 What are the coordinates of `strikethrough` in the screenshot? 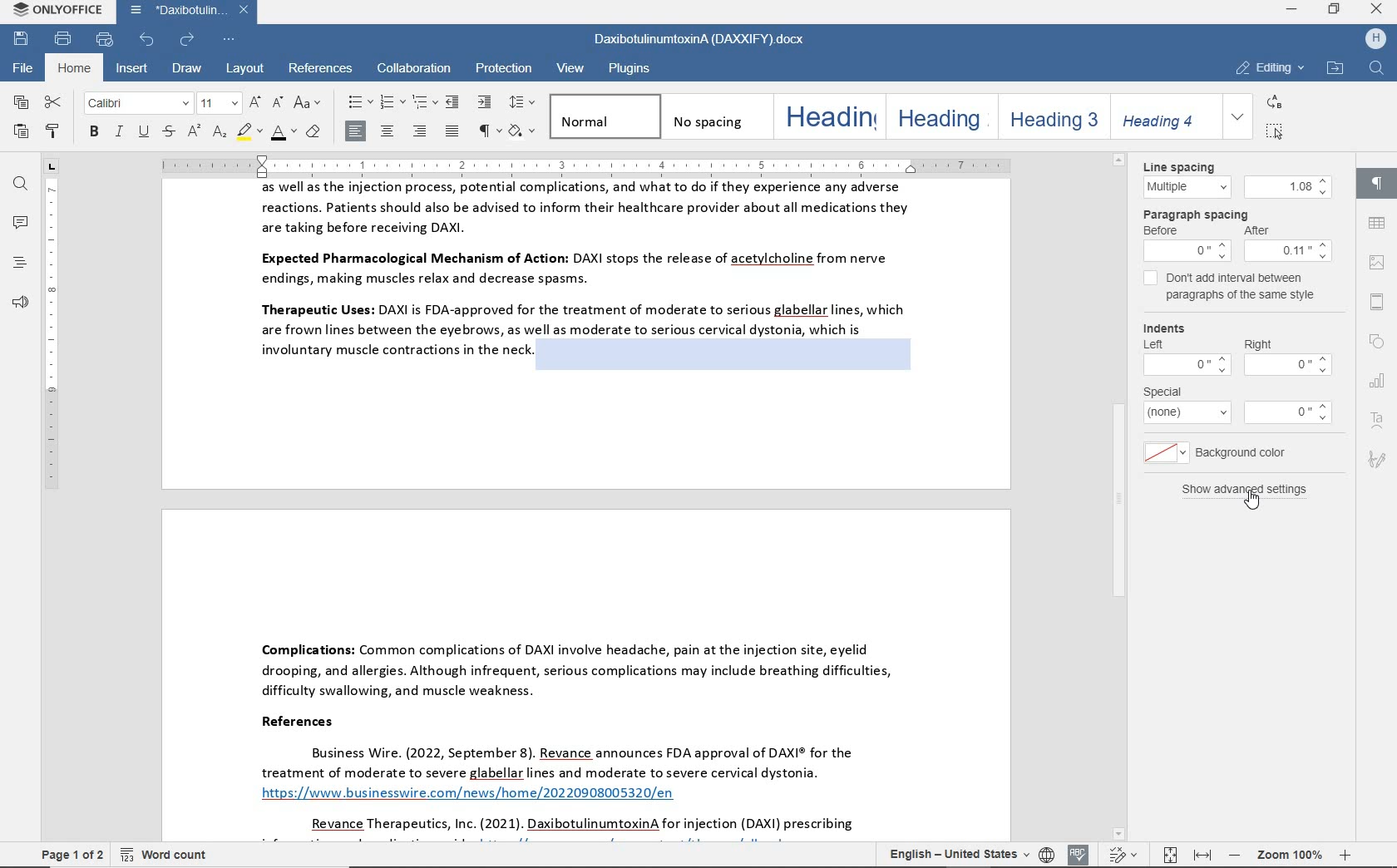 It's located at (167, 133).